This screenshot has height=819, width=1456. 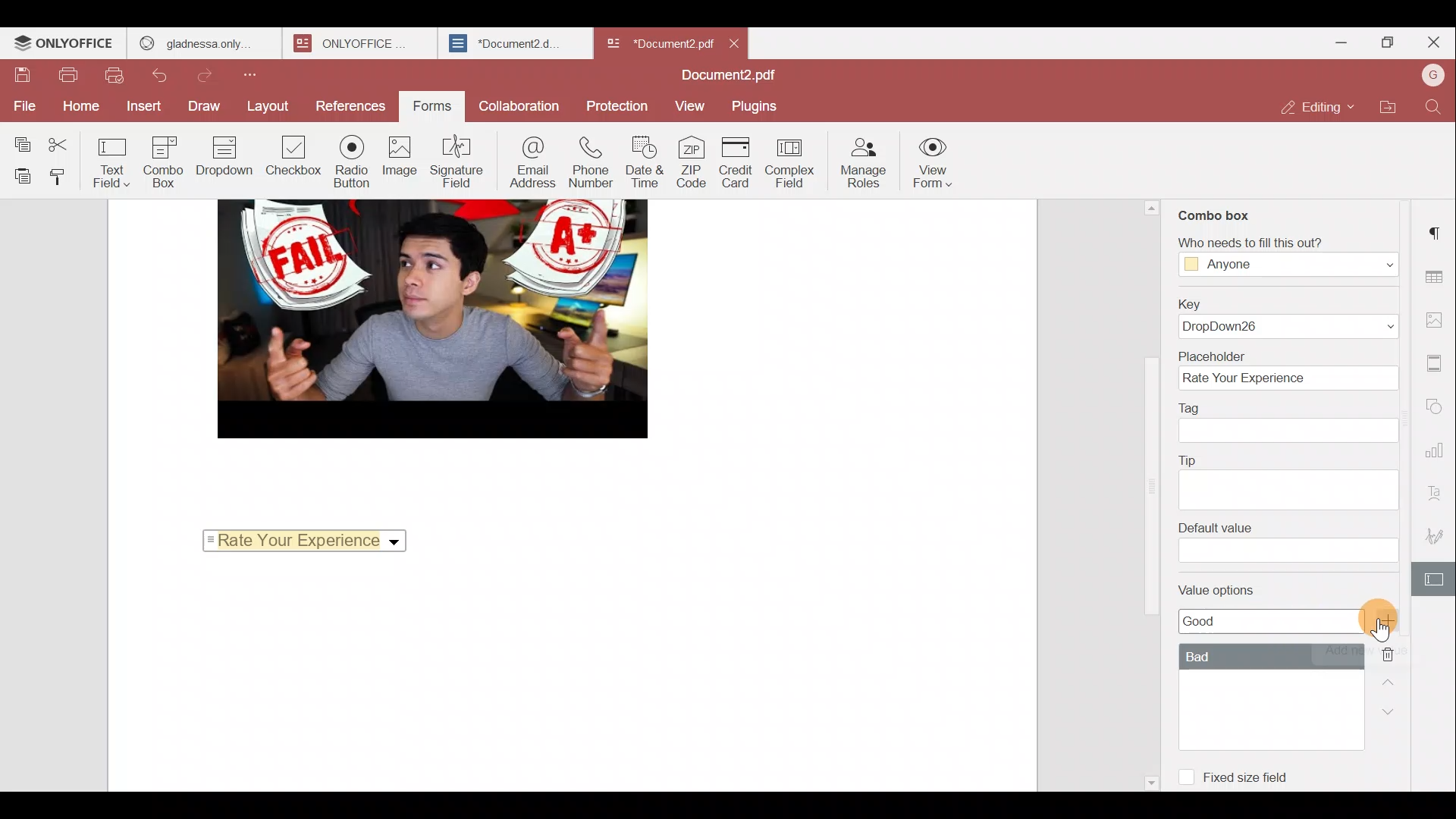 What do you see at coordinates (255, 77) in the screenshot?
I see `Customize quick access toolbar` at bounding box center [255, 77].